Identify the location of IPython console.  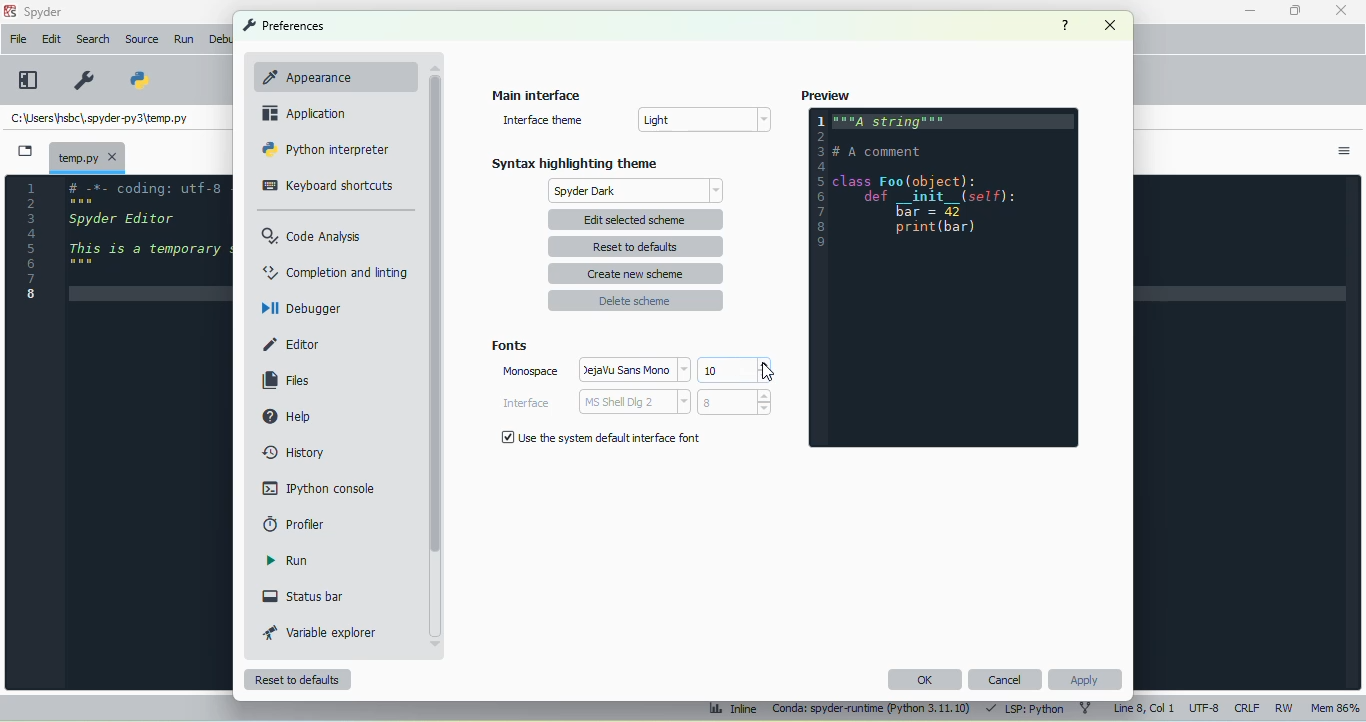
(318, 487).